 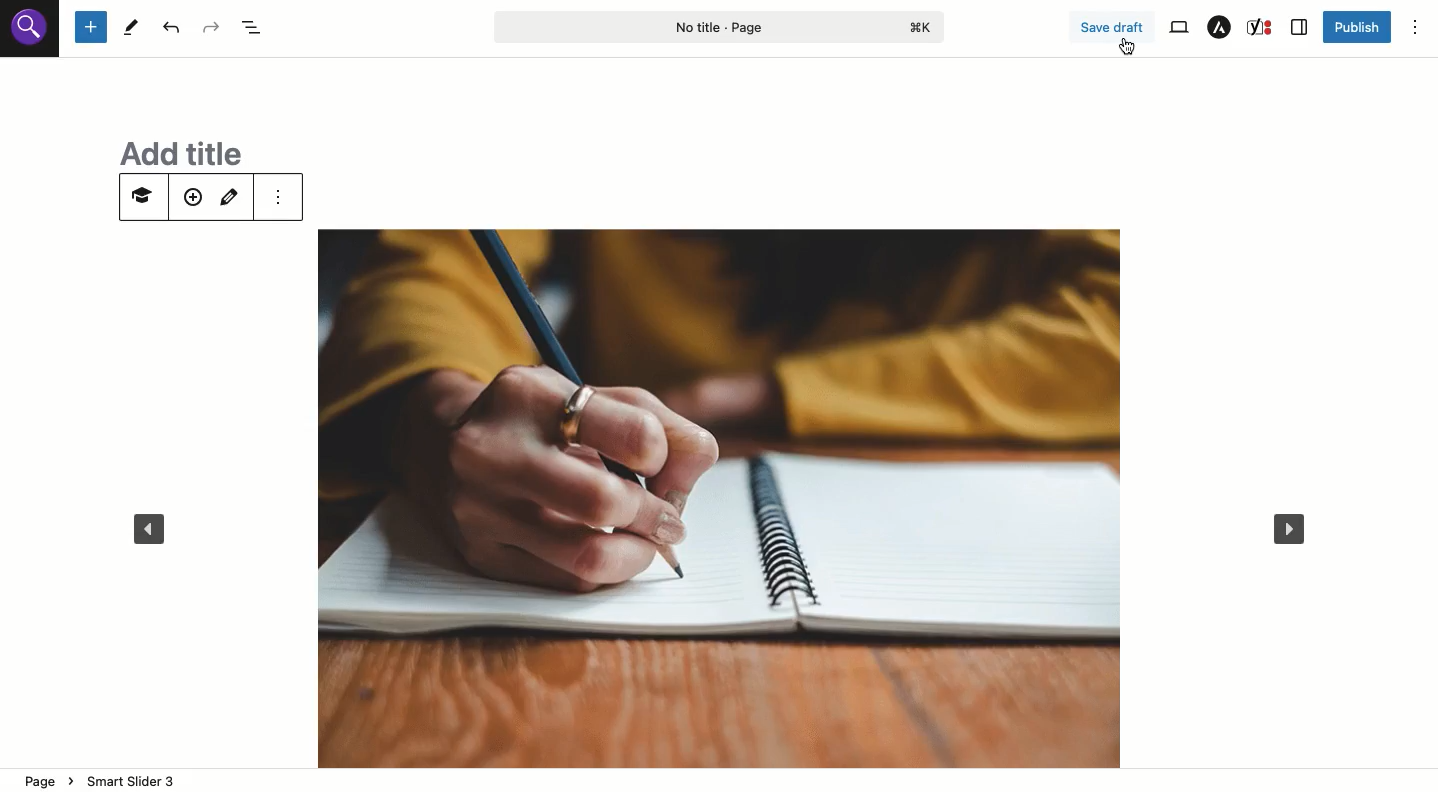 What do you see at coordinates (280, 196) in the screenshot?
I see `more actions` at bounding box center [280, 196].